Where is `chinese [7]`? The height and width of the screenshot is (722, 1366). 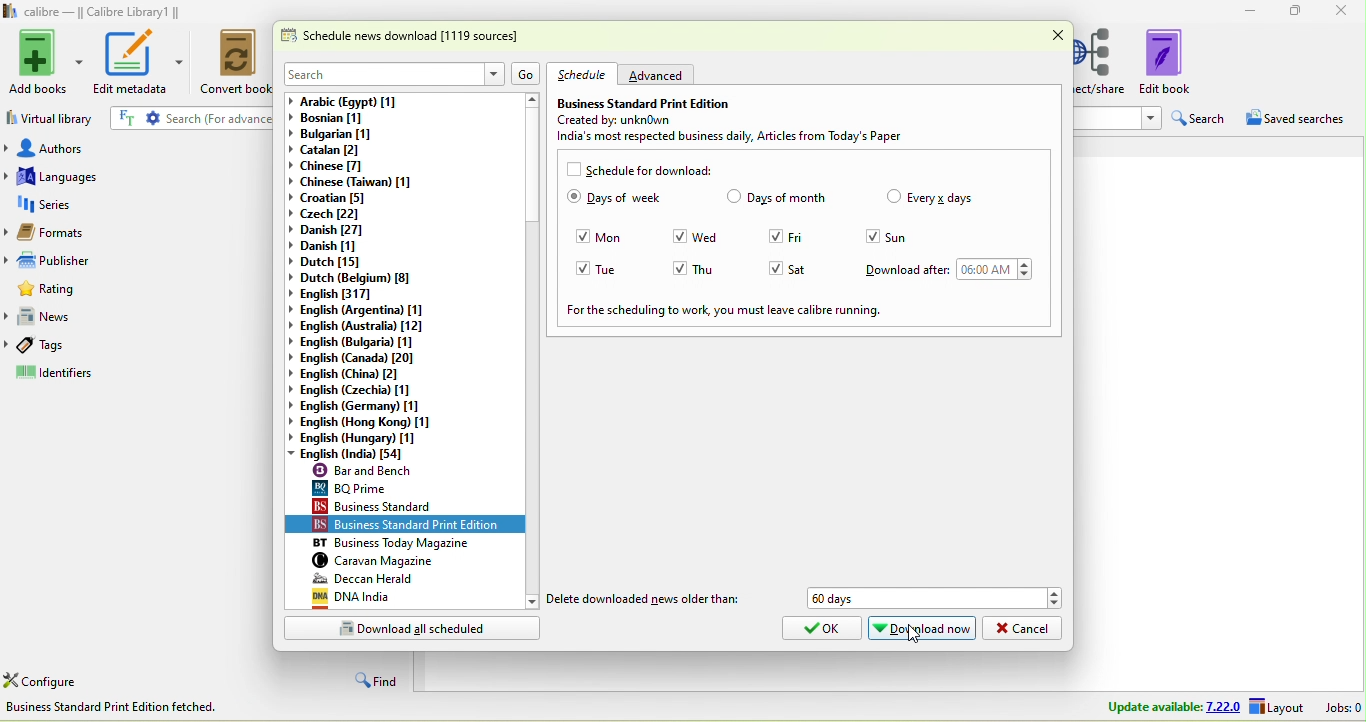
chinese [7] is located at coordinates (342, 167).